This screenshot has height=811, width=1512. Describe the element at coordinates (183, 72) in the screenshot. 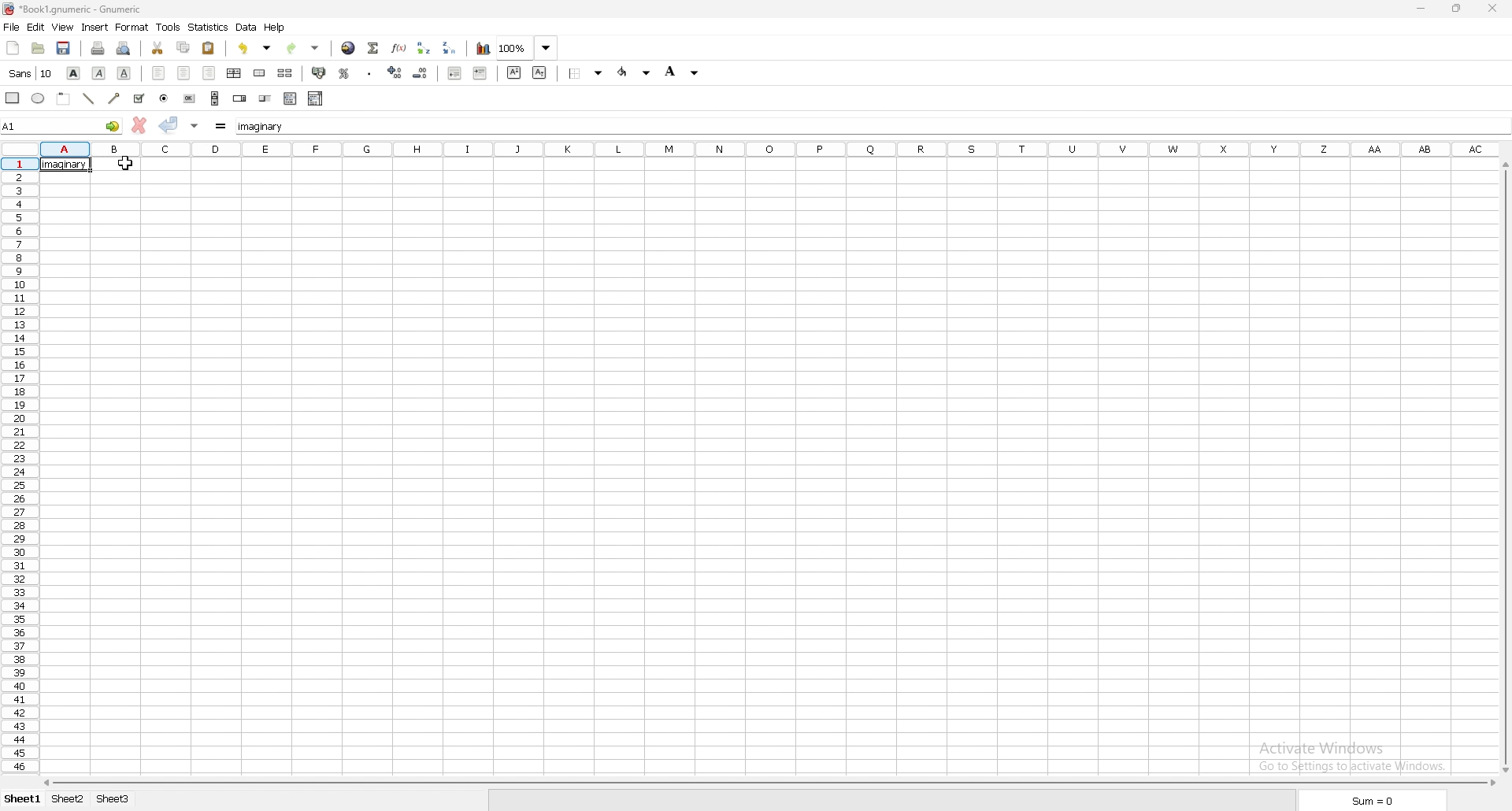

I see `centre` at that location.